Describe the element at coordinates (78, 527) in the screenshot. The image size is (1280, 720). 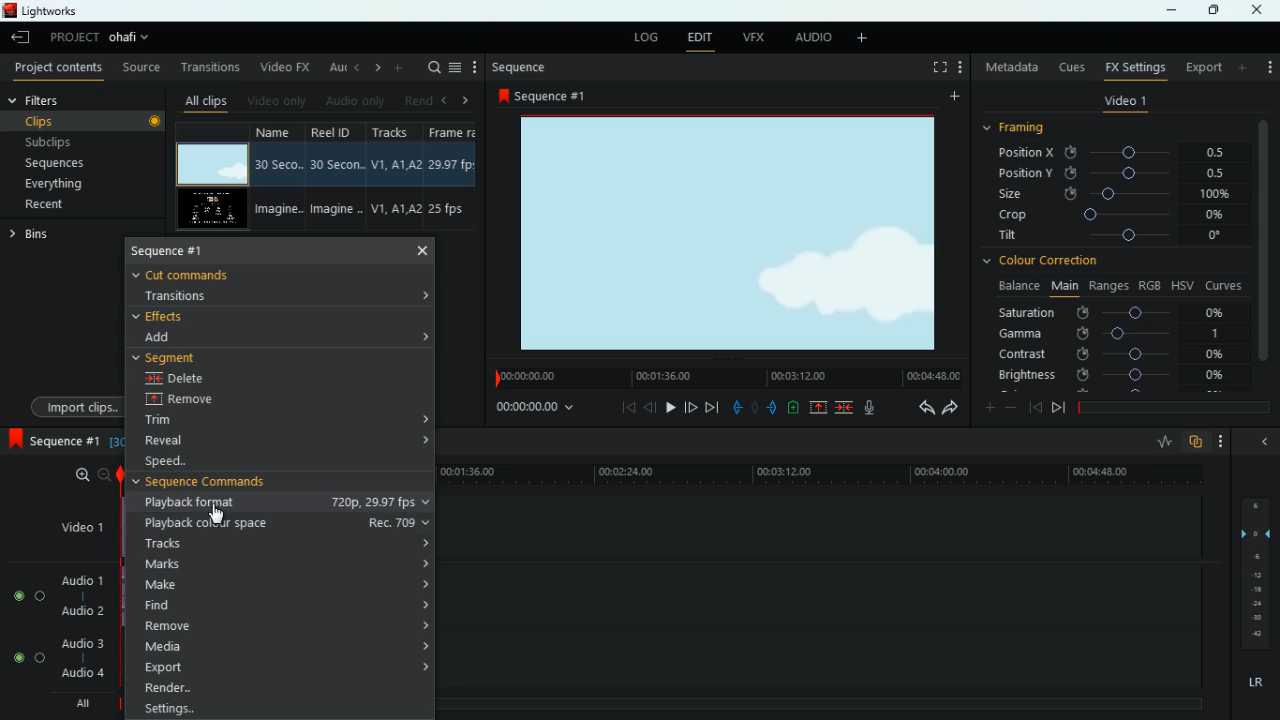
I see `video1` at that location.